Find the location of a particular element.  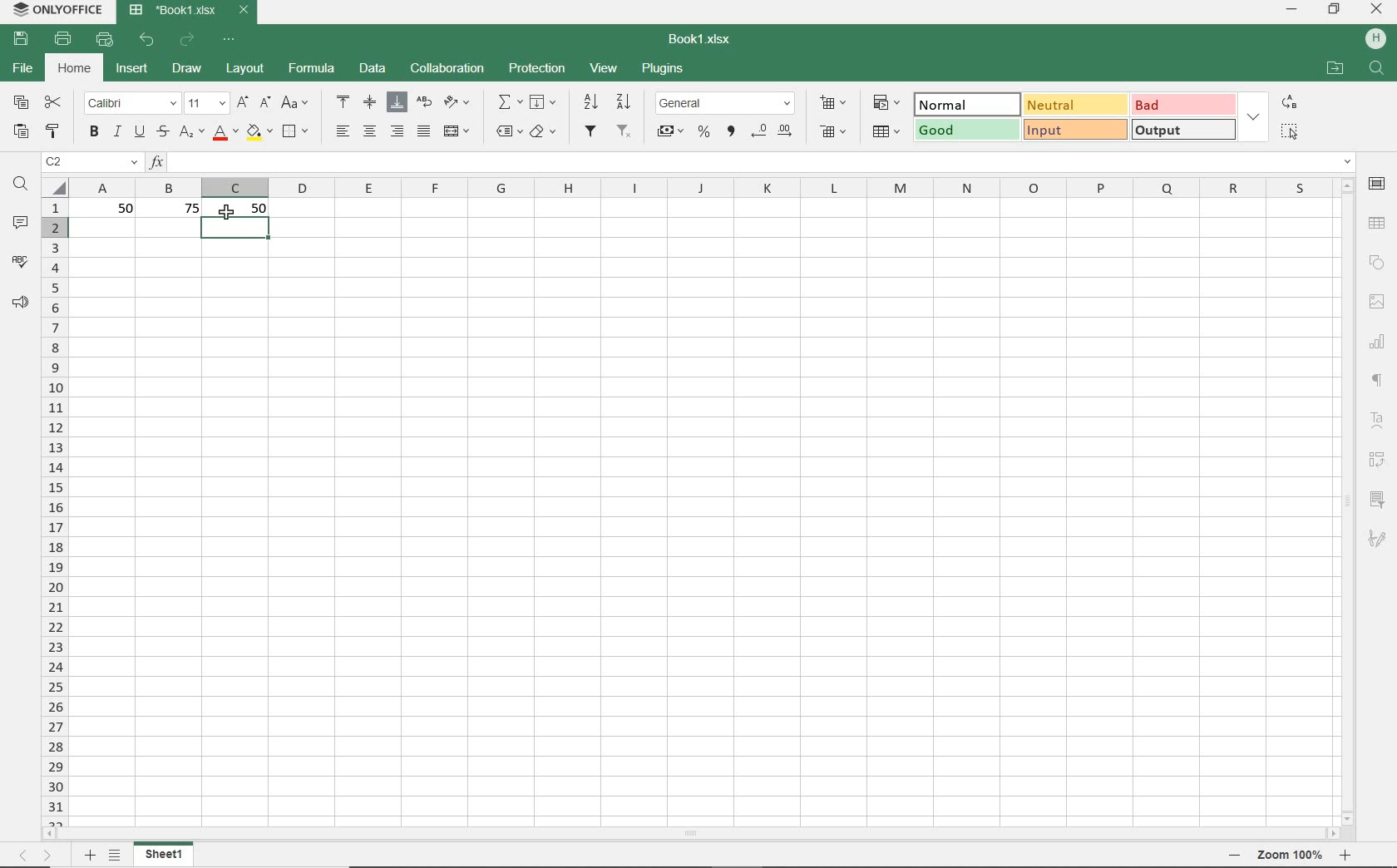

data is located at coordinates (373, 68).